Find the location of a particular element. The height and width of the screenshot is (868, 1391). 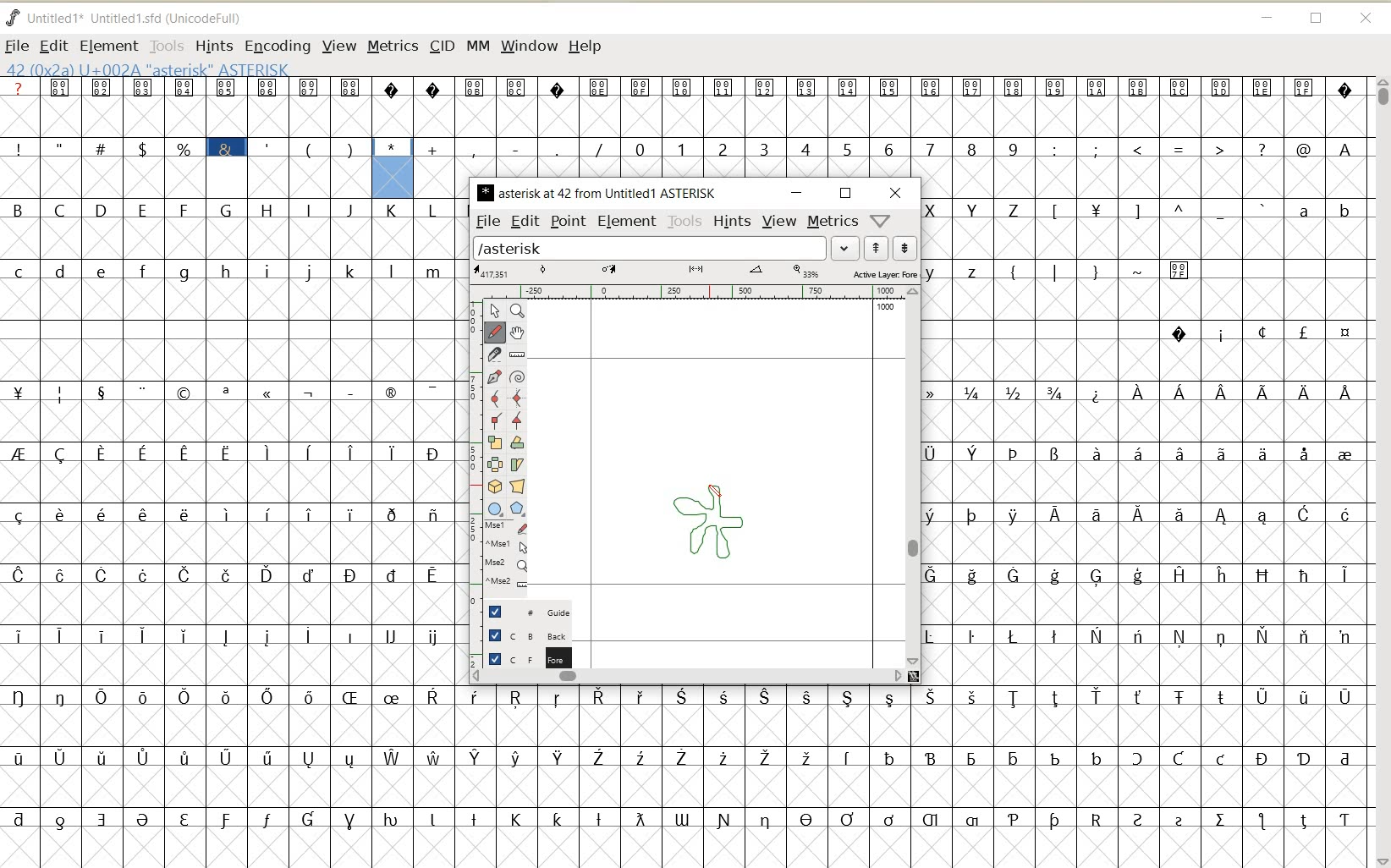

RESTORE is located at coordinates (1317, 19).